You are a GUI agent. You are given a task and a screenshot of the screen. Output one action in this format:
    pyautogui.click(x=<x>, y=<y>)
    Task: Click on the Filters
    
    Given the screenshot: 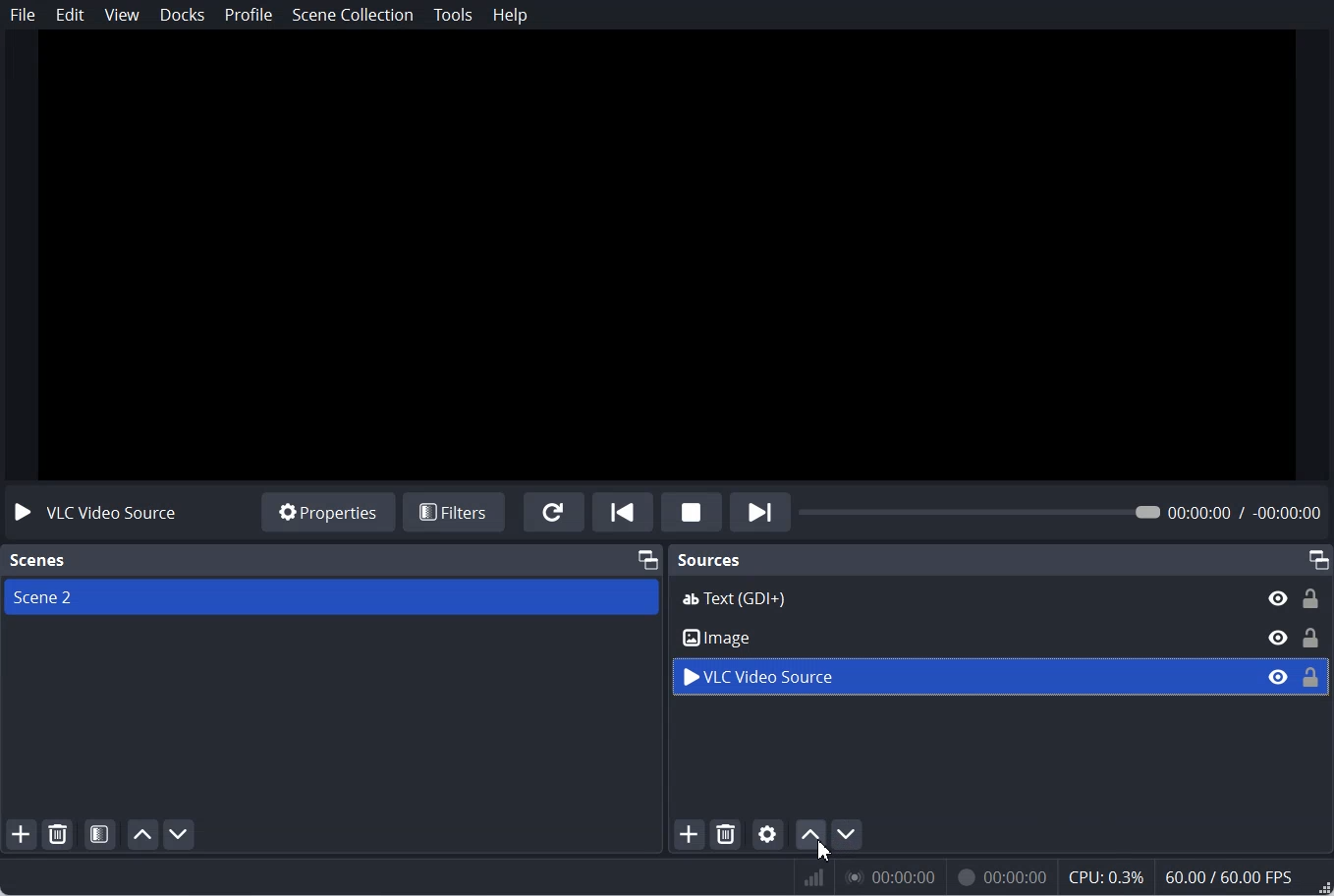 What is the action you would take?
    pyautogui.click(x=455, y=512)
    